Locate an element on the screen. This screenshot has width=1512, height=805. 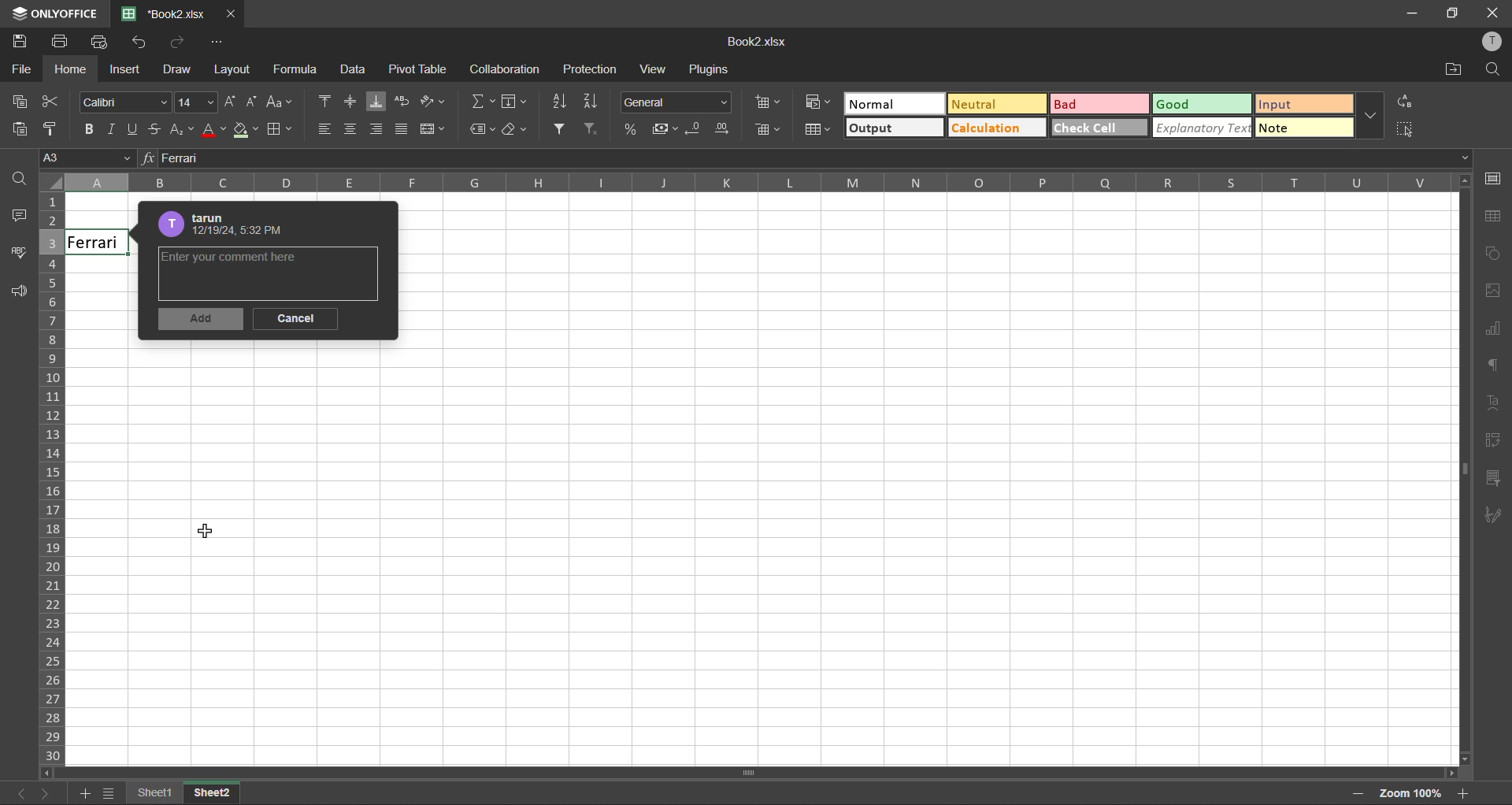
align right is located at coordinates (376, 130).